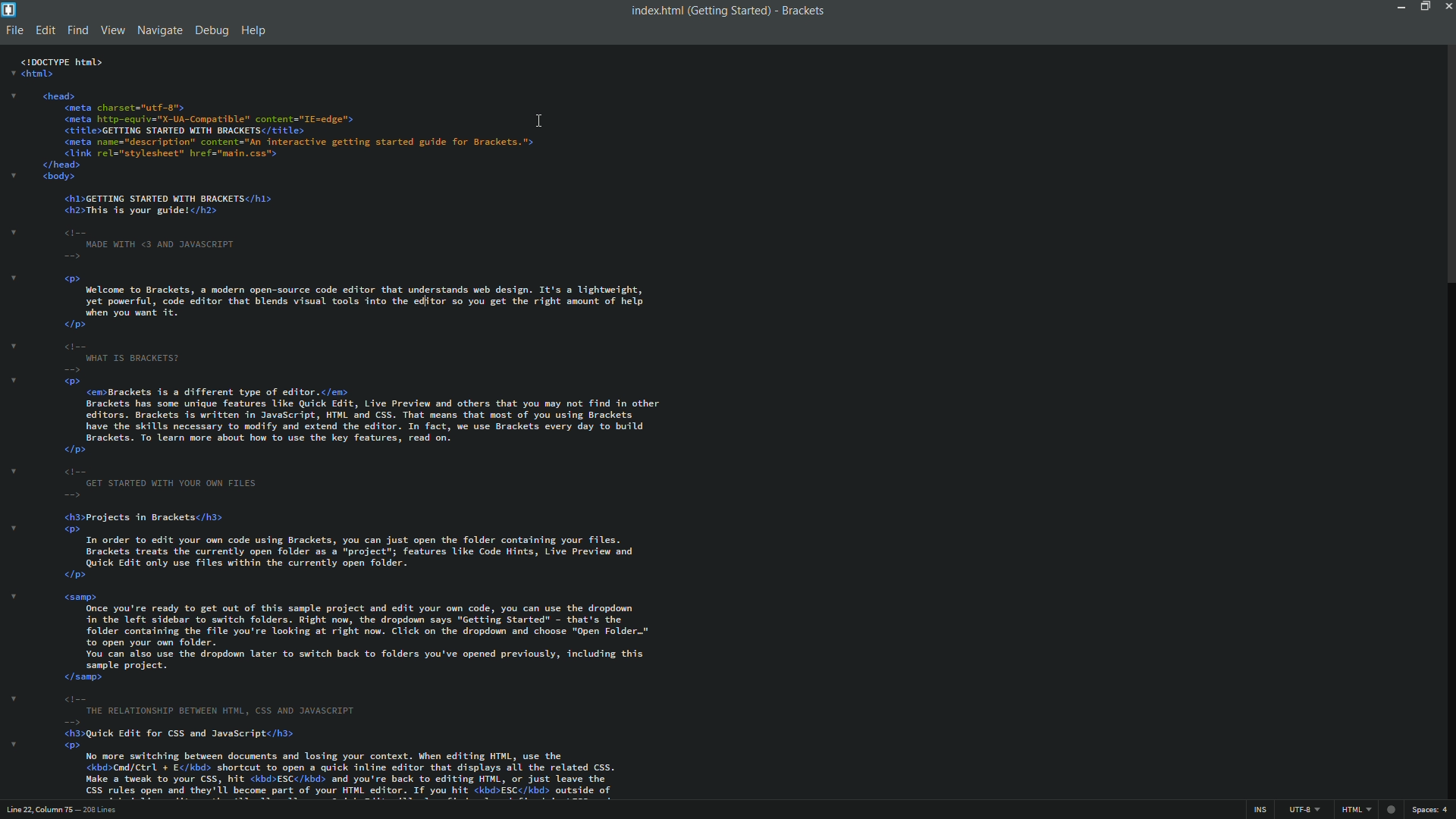 The width and height of the screenshot is (1456, 819). What do you see at coordinates (13, 743) in the screenshot?
I see `dropdown` at bounding box center [13, 743].